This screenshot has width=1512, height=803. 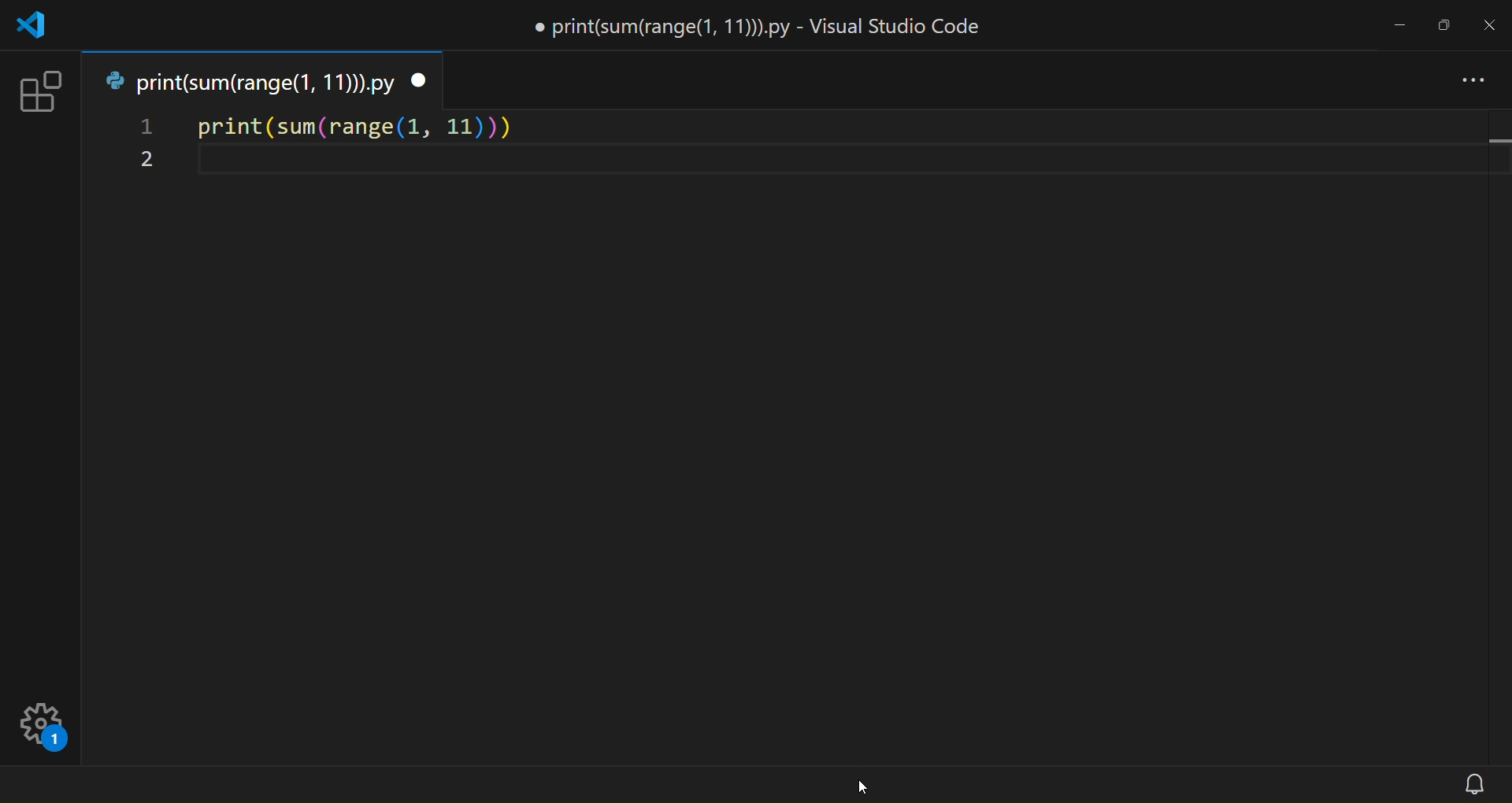 What do you see at coordinates (726, 786) in the screenshot?
I see `status bar` at bounding box center [726, 786].